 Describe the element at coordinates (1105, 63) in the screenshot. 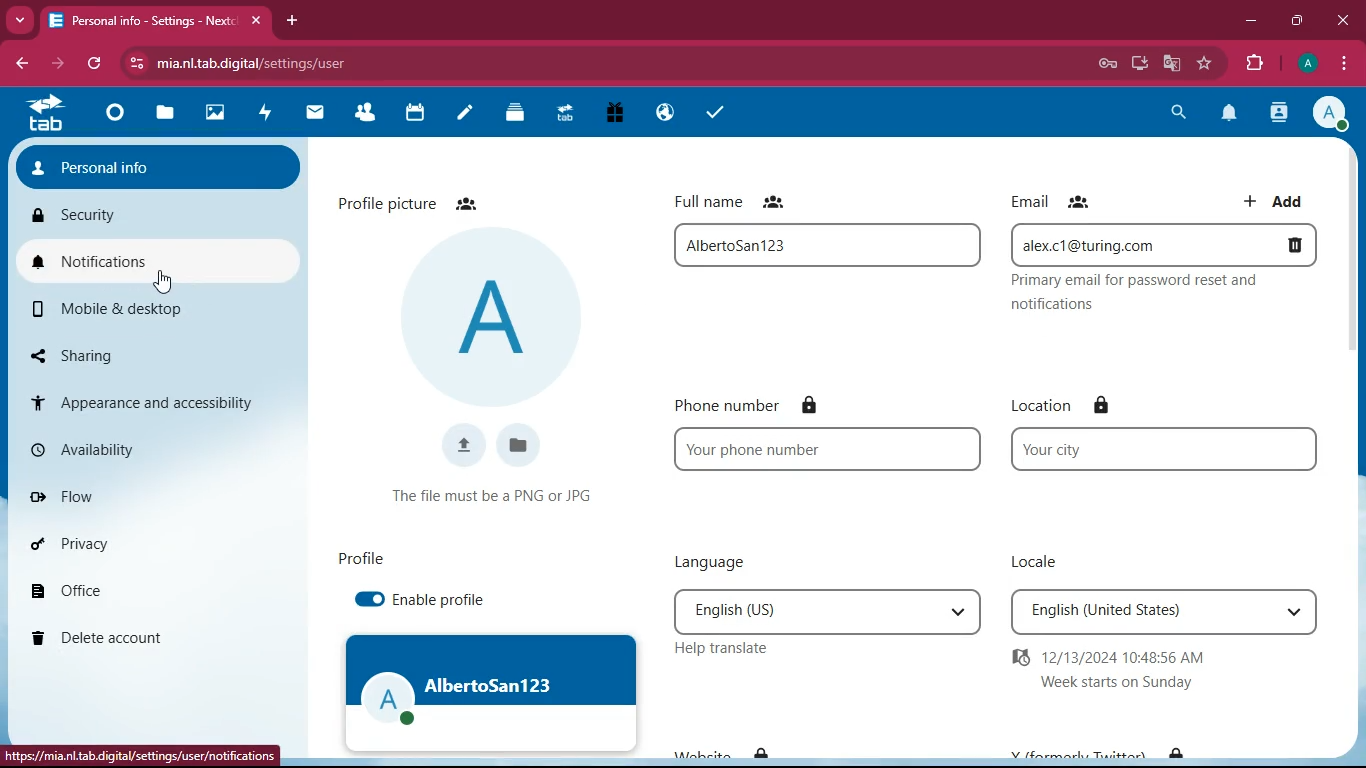

I see `password` at that location.